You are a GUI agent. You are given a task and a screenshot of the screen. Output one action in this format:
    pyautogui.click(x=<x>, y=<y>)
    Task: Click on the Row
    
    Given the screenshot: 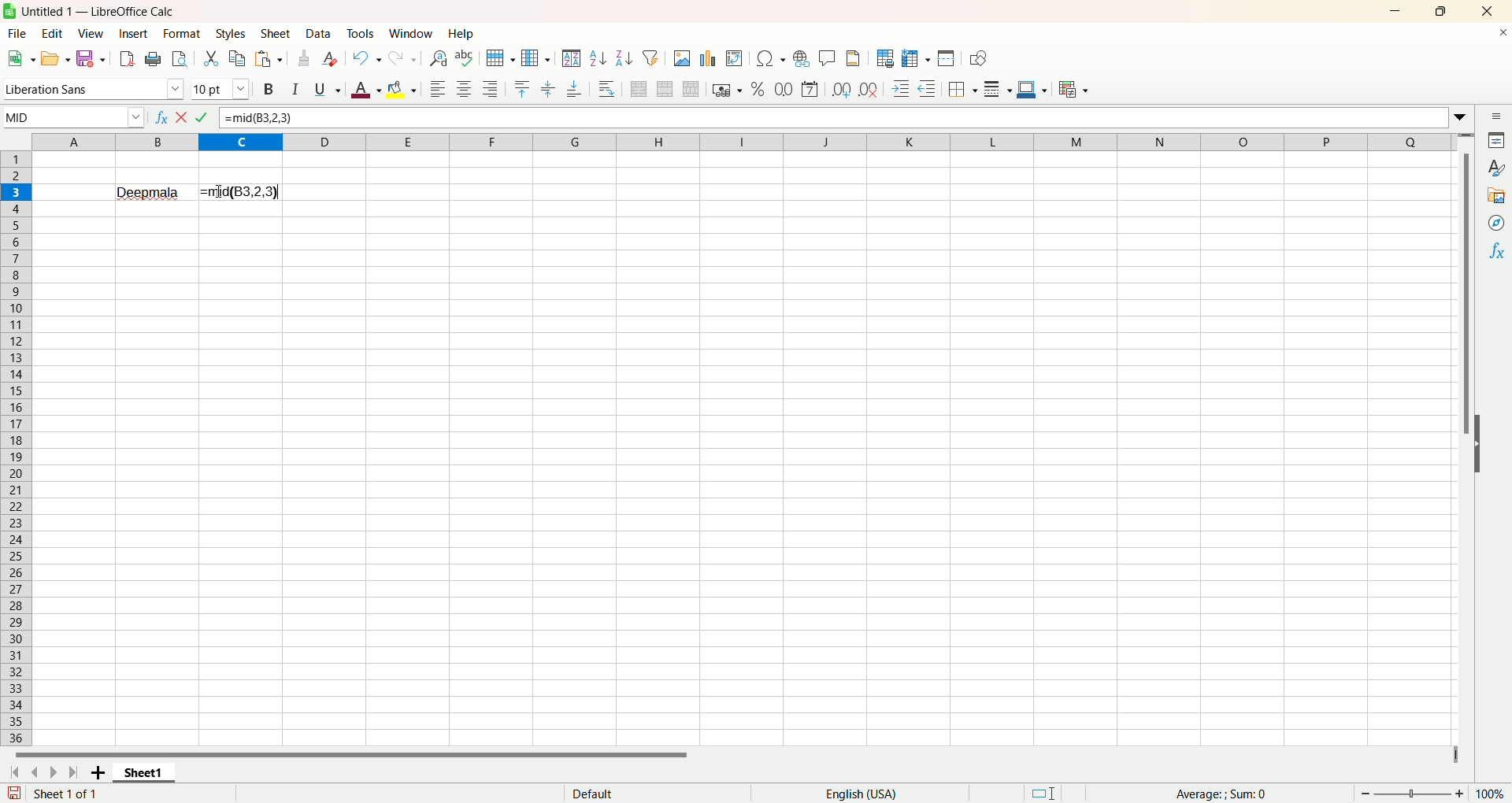 What is the action you would take?
    pyautogui.click(x=502, y=58)
    